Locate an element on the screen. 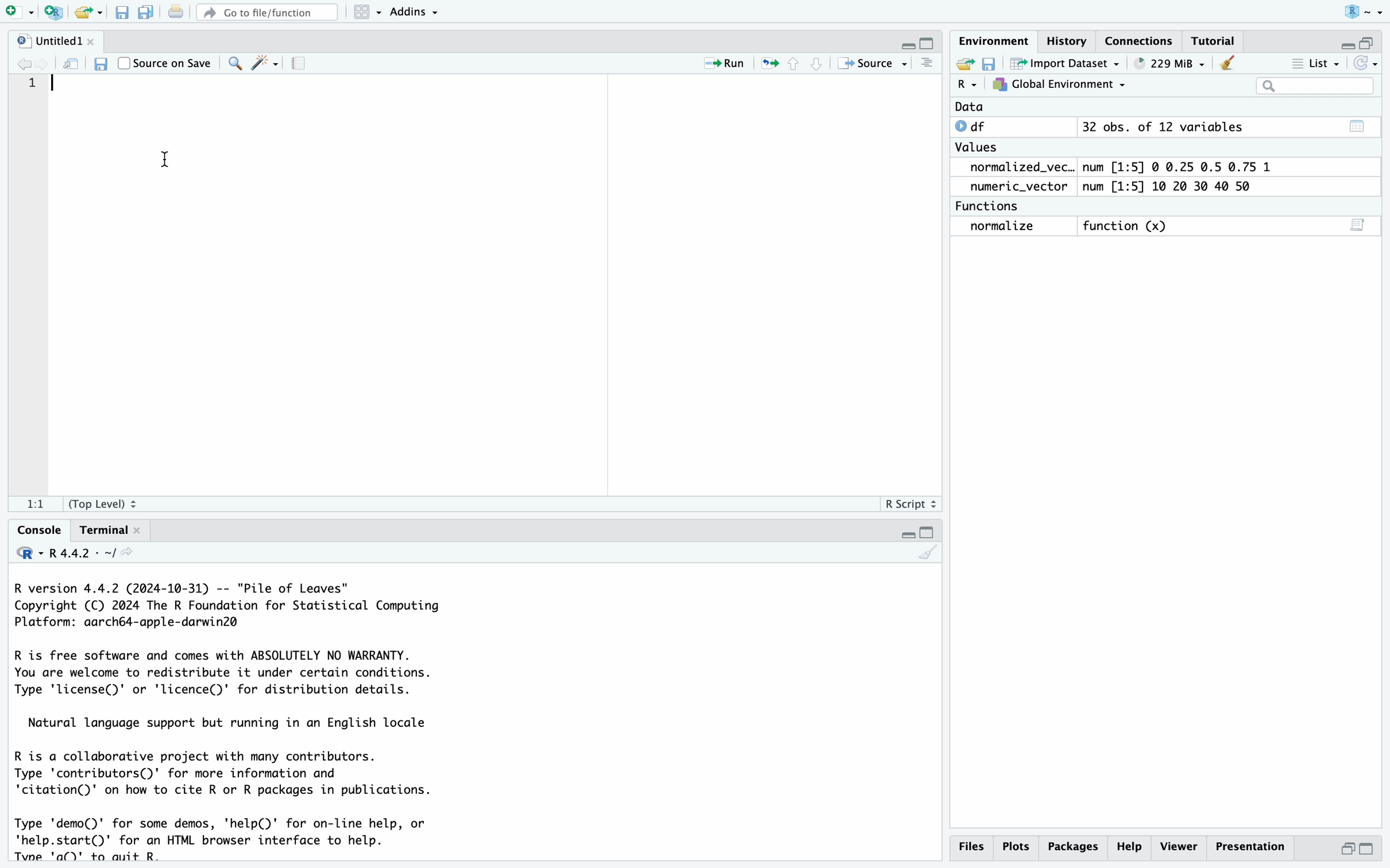  search bar is located at coordinates (1316, 87).